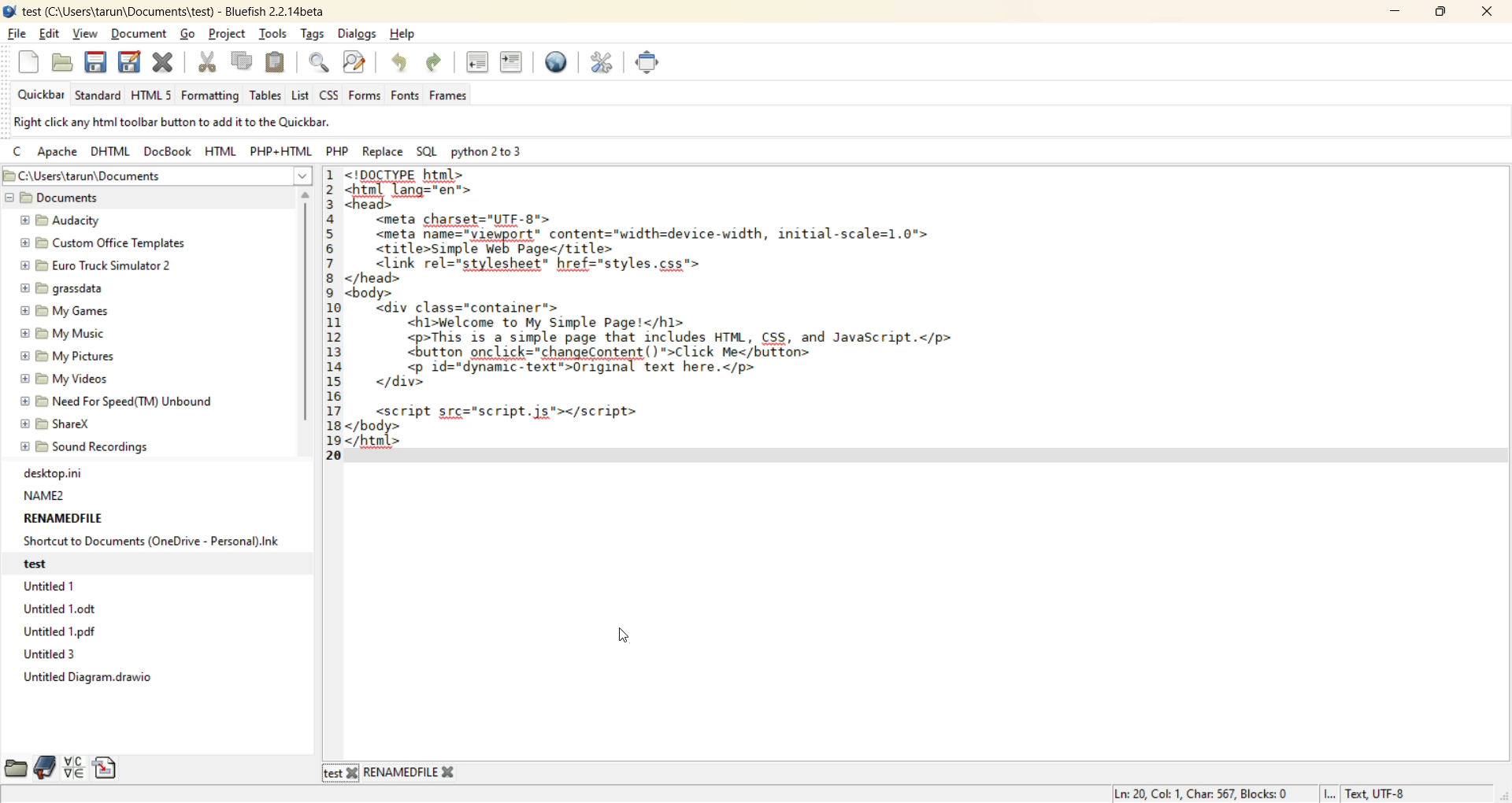 Image resolution: width=1512 pixels, height=803 pixels. I want to click on file path, so click(142, 176).